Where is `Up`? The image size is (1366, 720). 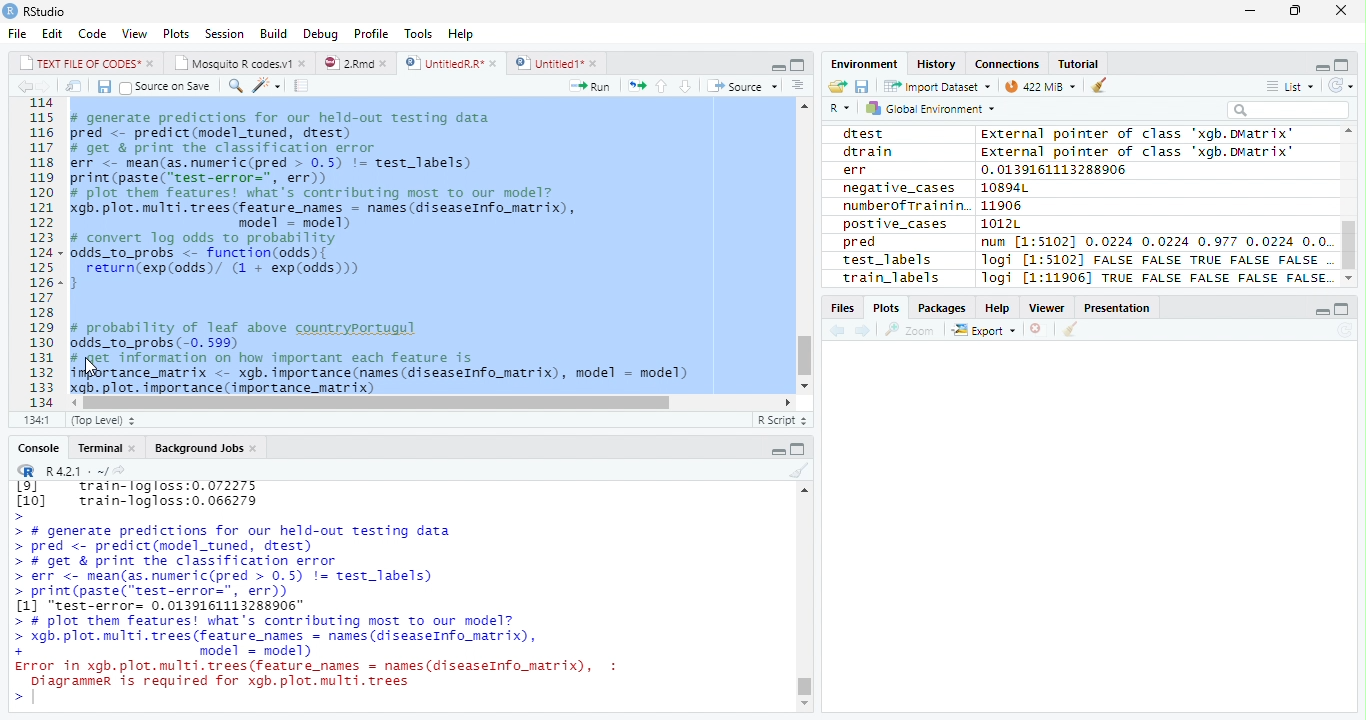 Up is located at coordinates (660, 86).